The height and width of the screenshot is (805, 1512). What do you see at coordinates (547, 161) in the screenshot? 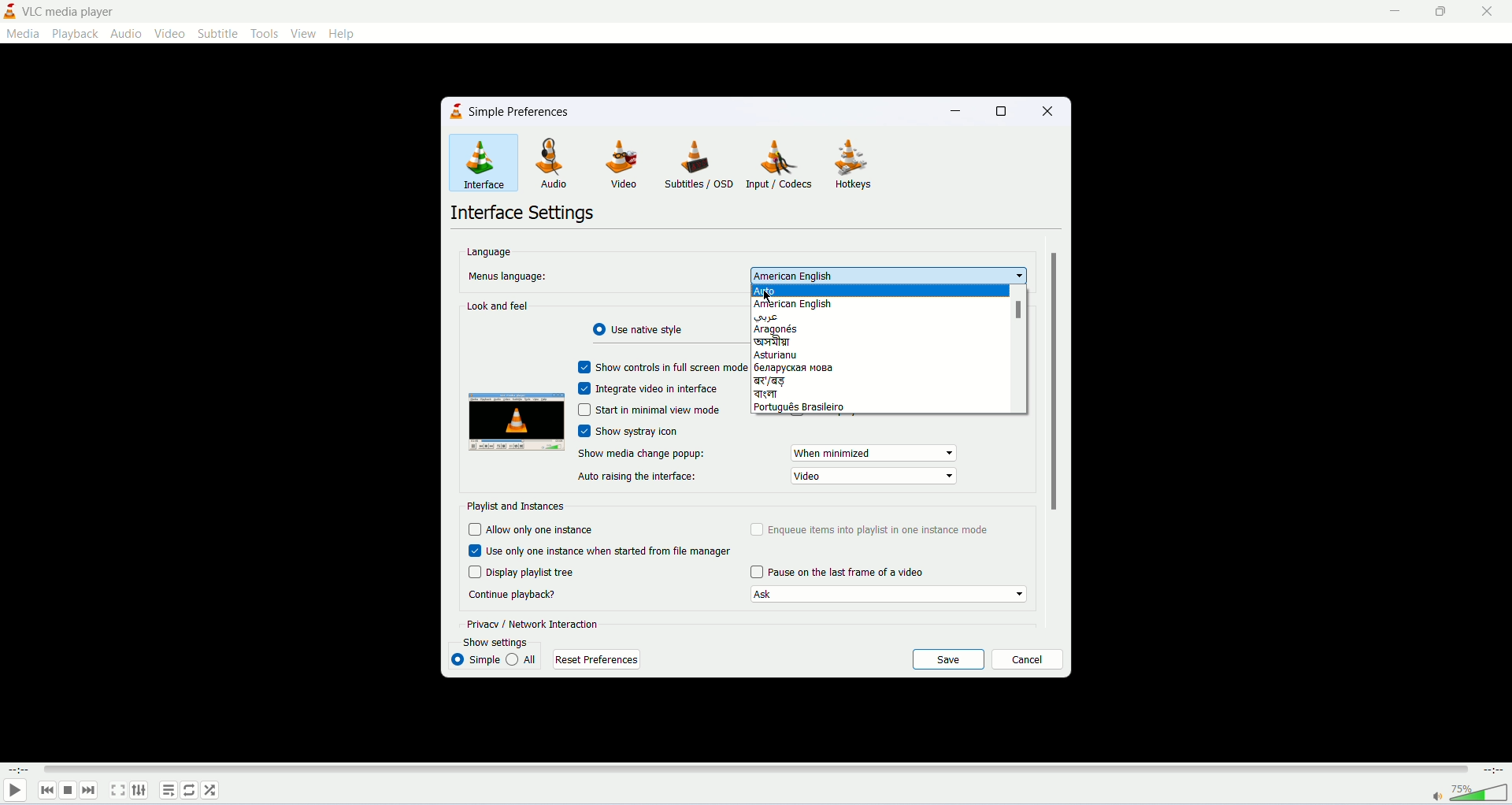
I see `audio` at bounding box center [547, 161].